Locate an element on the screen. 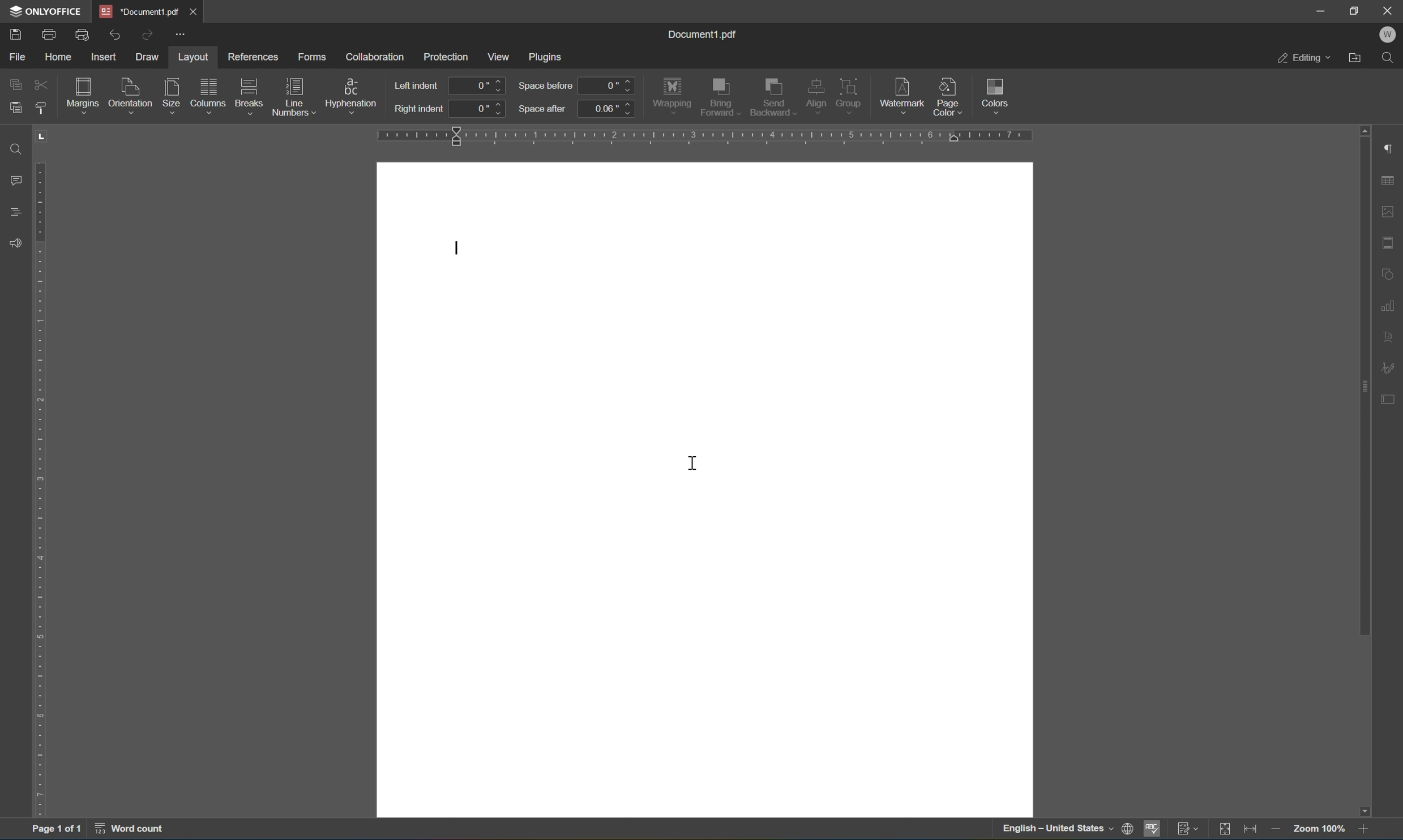 Image resolution: width=1403 pixels, height=840 pixels. file is located at coordinates (18, 56).